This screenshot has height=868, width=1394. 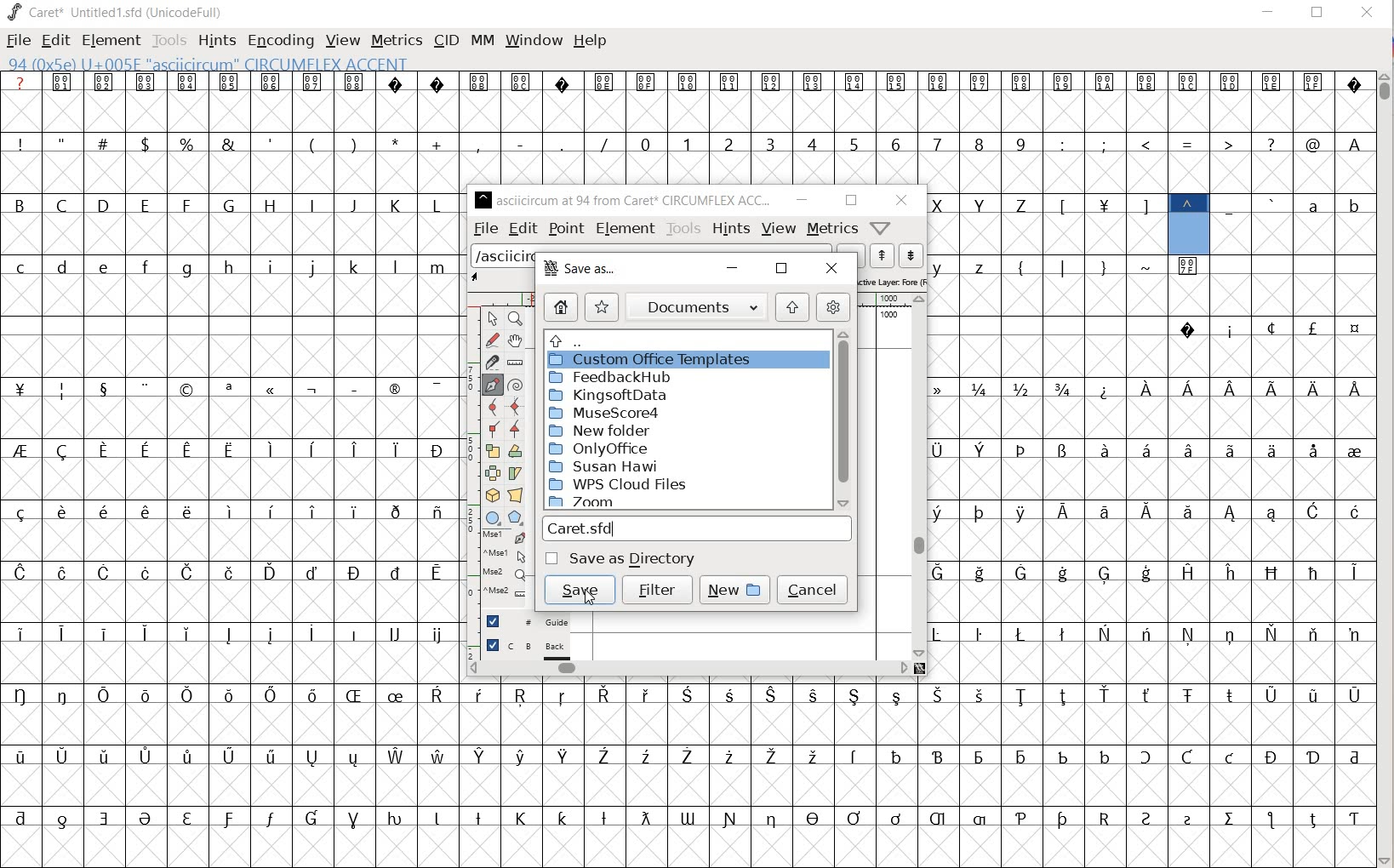 I want to click on scale the selection, so click(x=492, y=451).